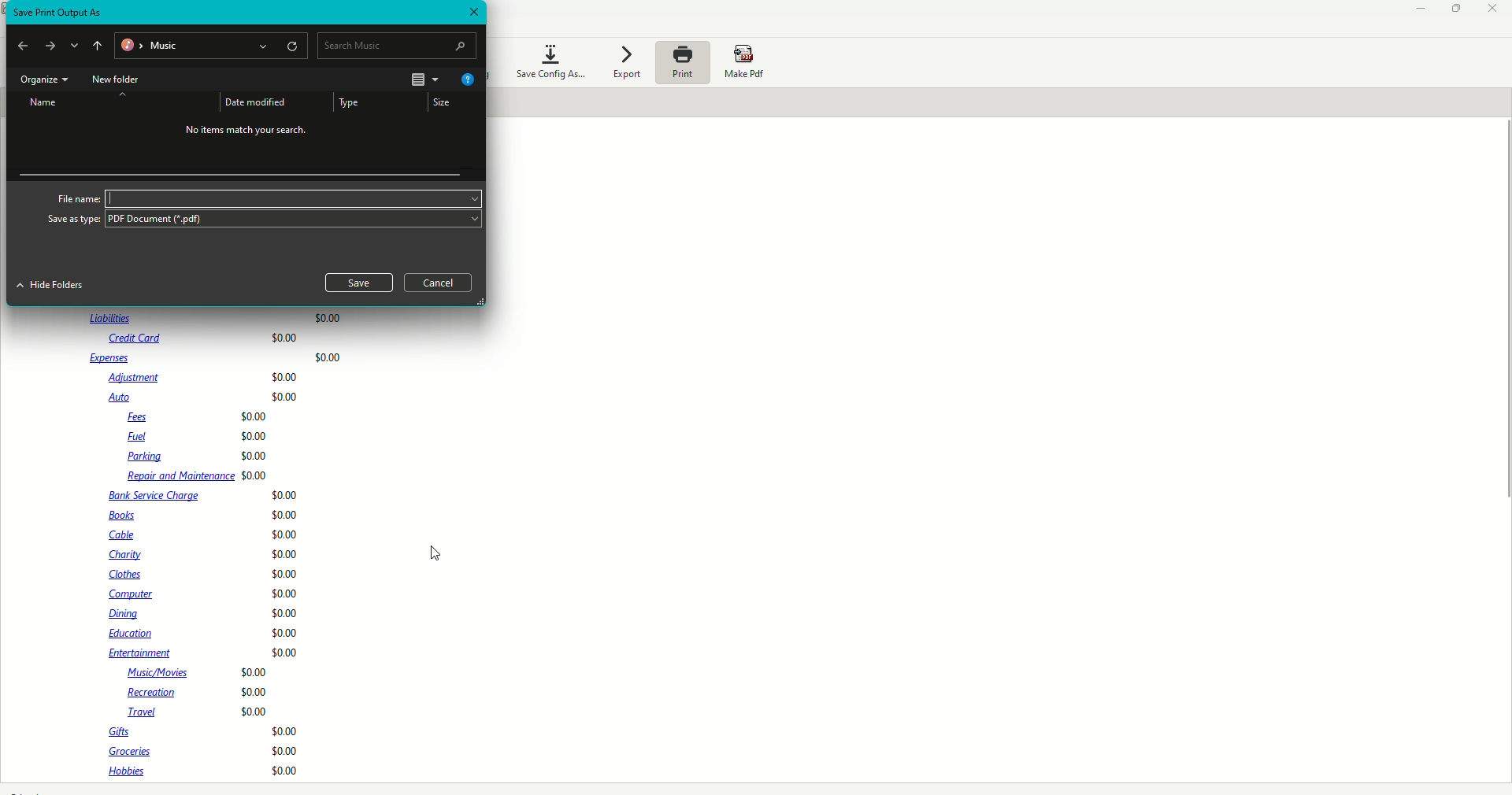  I want to click on New Folder, so click(117, 80).